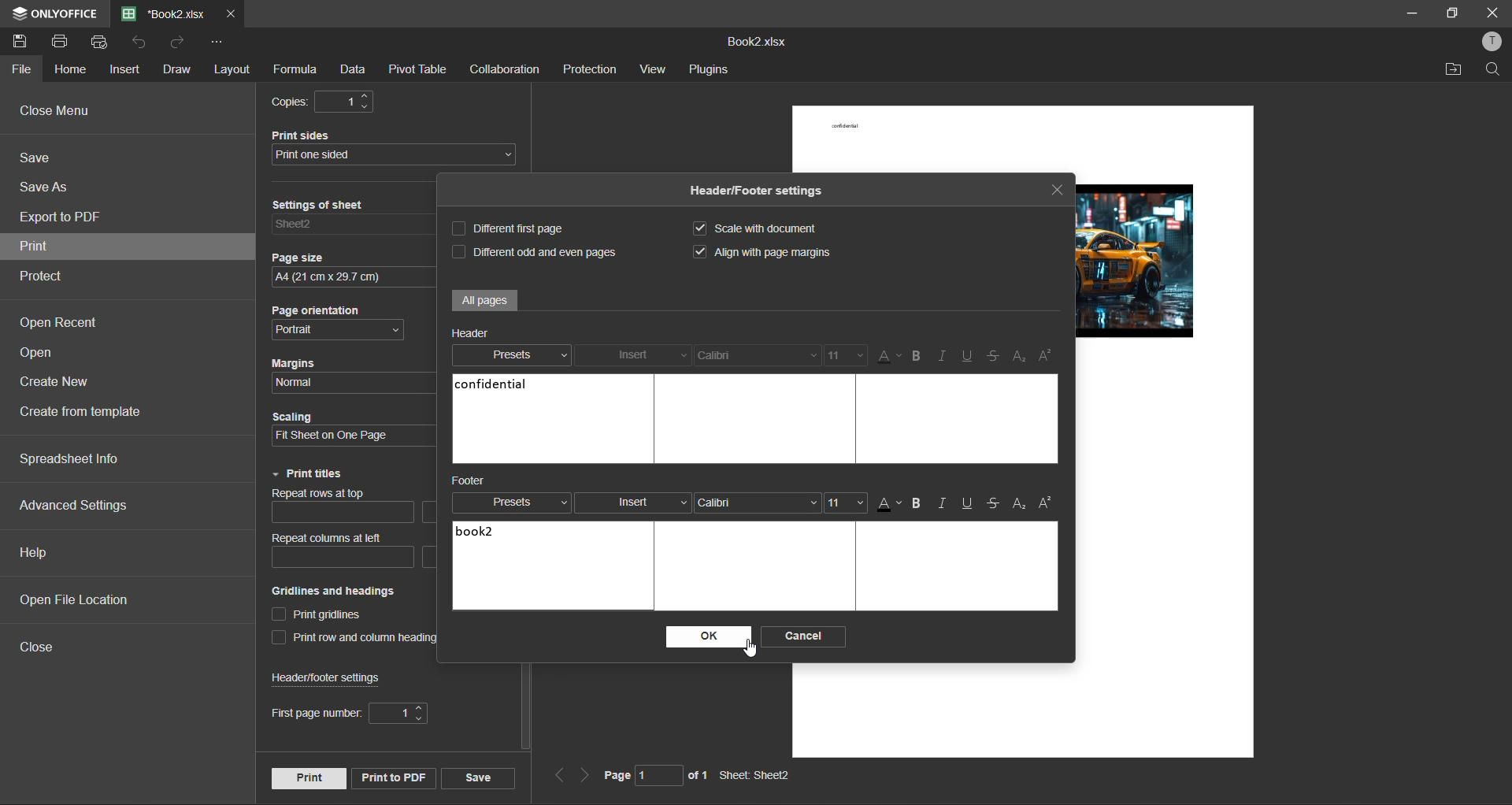 The height and width of the screenshot is (805, 1512). I want to click on Settings of sheet, so click(323, 203).